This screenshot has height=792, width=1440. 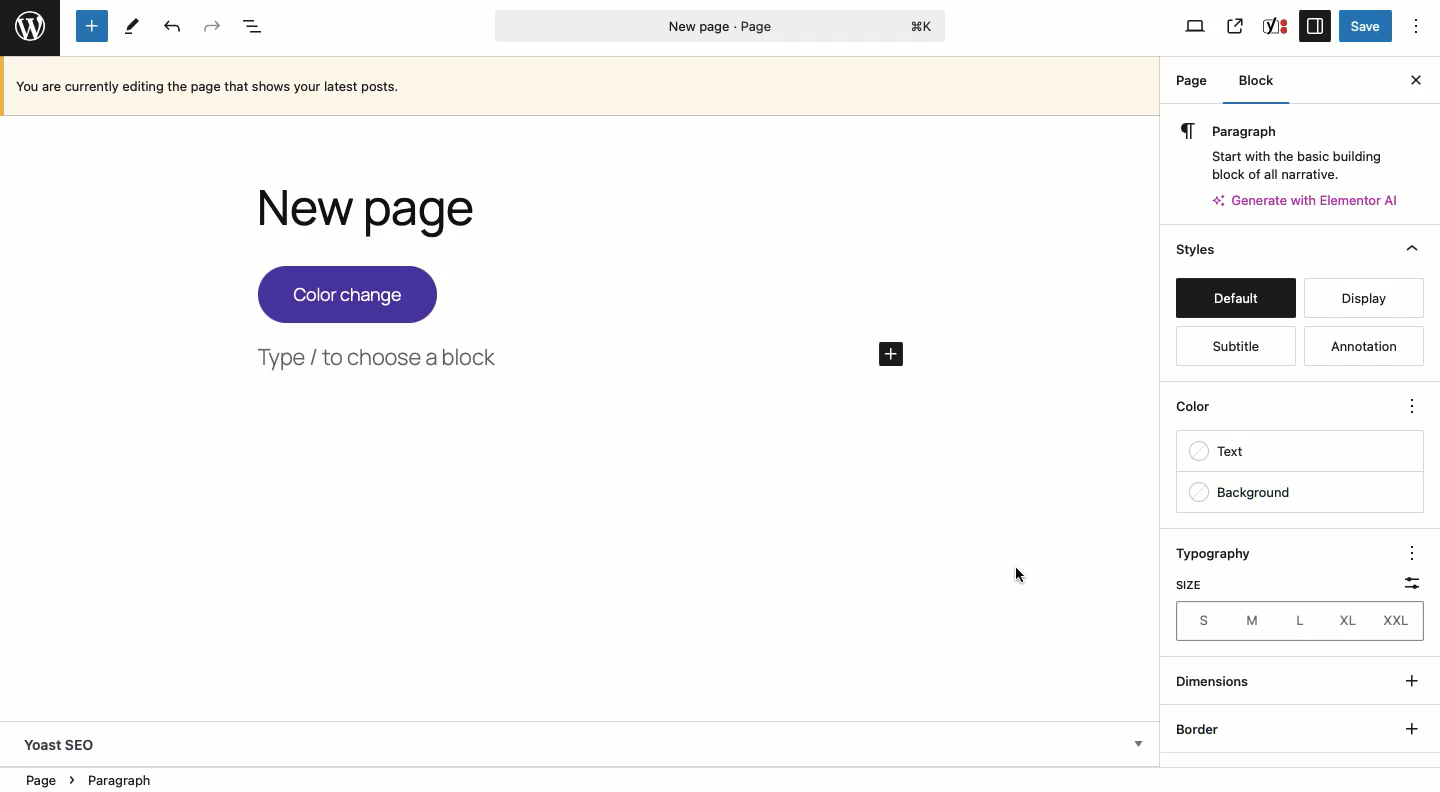 What do you see at coordinates (1361, 299) in the screenshot?
I see `display` at bounding box center [1361, 299].